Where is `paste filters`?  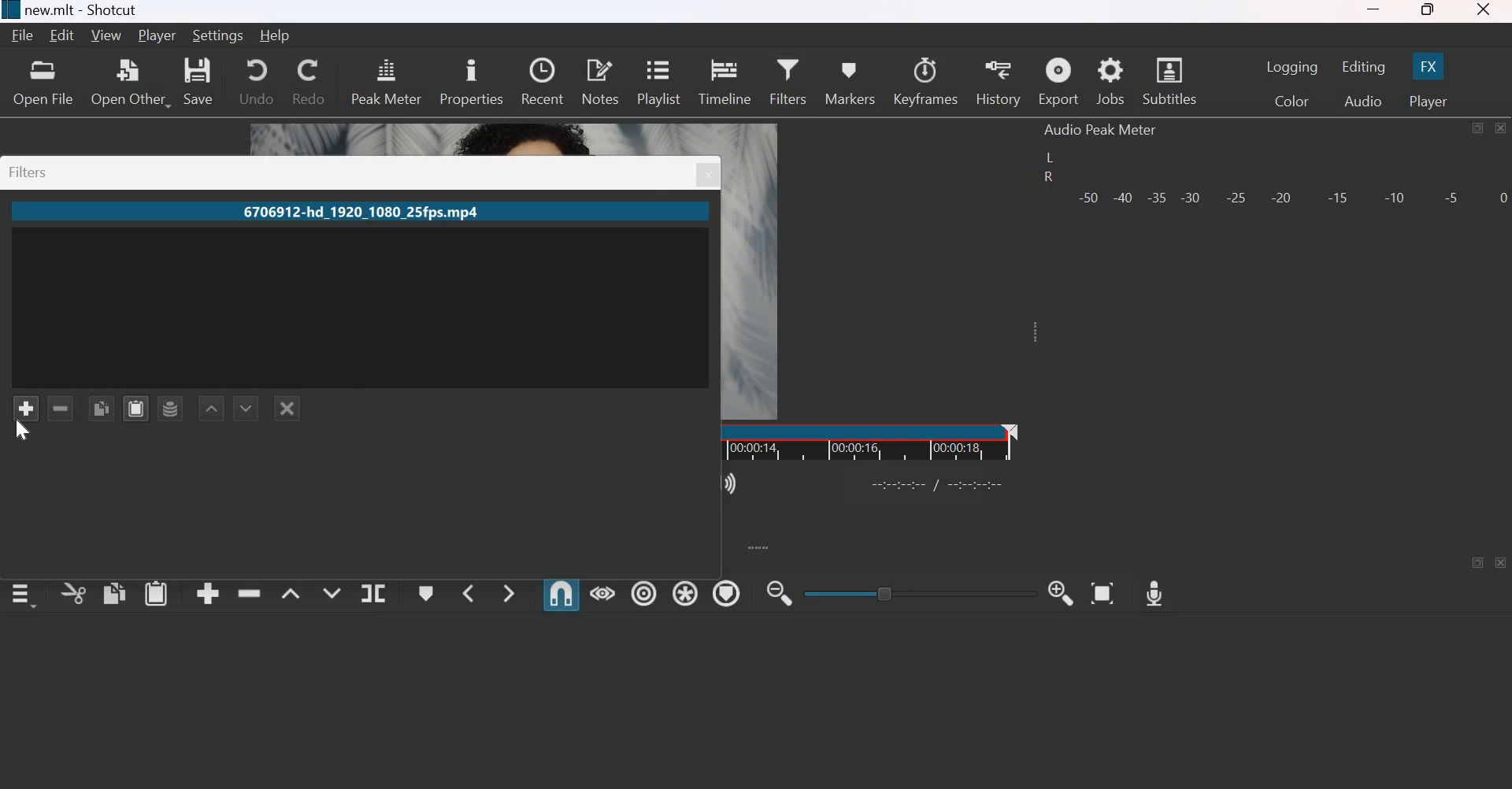
paste filters is located at coordinates (135, 406).